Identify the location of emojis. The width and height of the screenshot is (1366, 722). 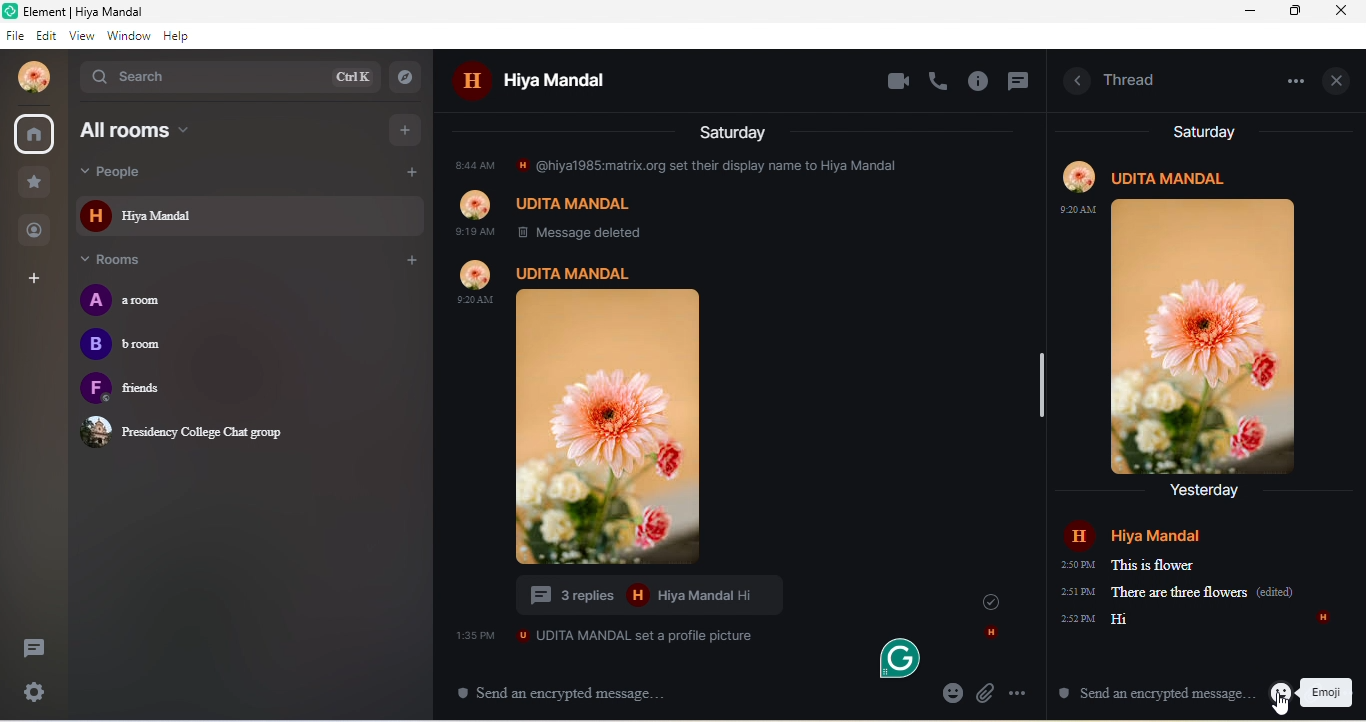
(1279, 695).